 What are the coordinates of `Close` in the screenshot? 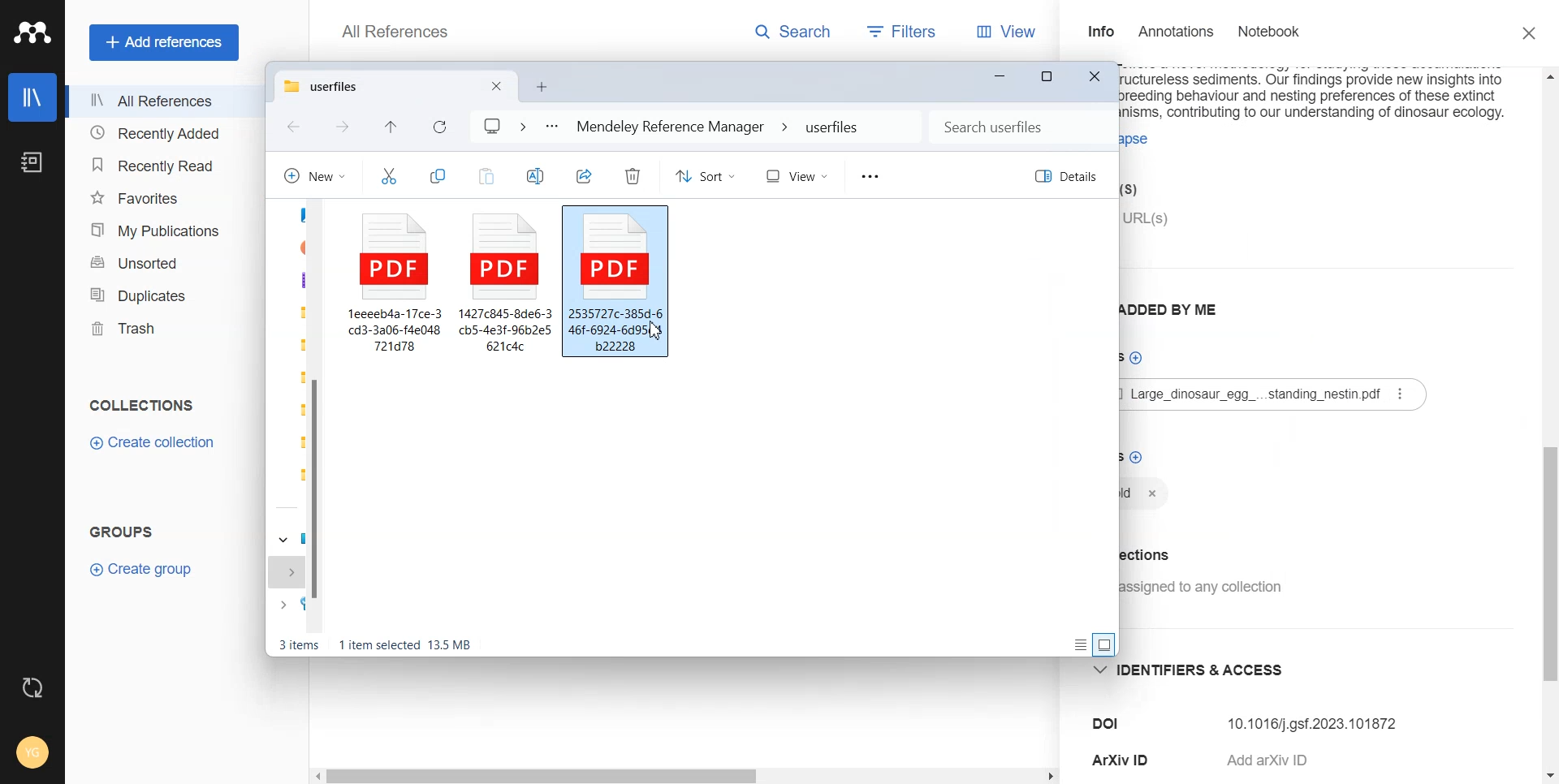 It's located at (1532, 34).